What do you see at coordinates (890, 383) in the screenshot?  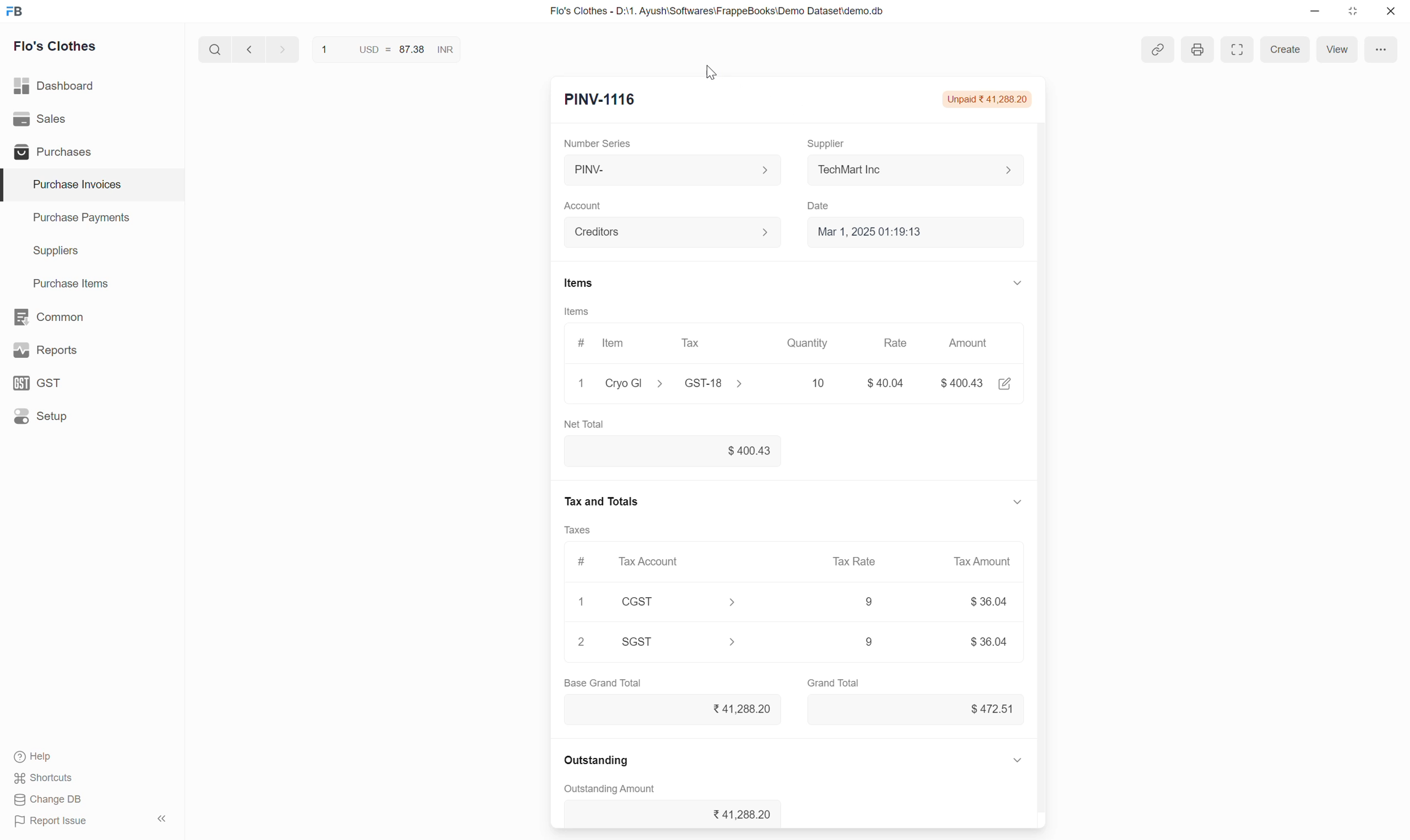 I see `$40.04` at bounding box center [890, 383].